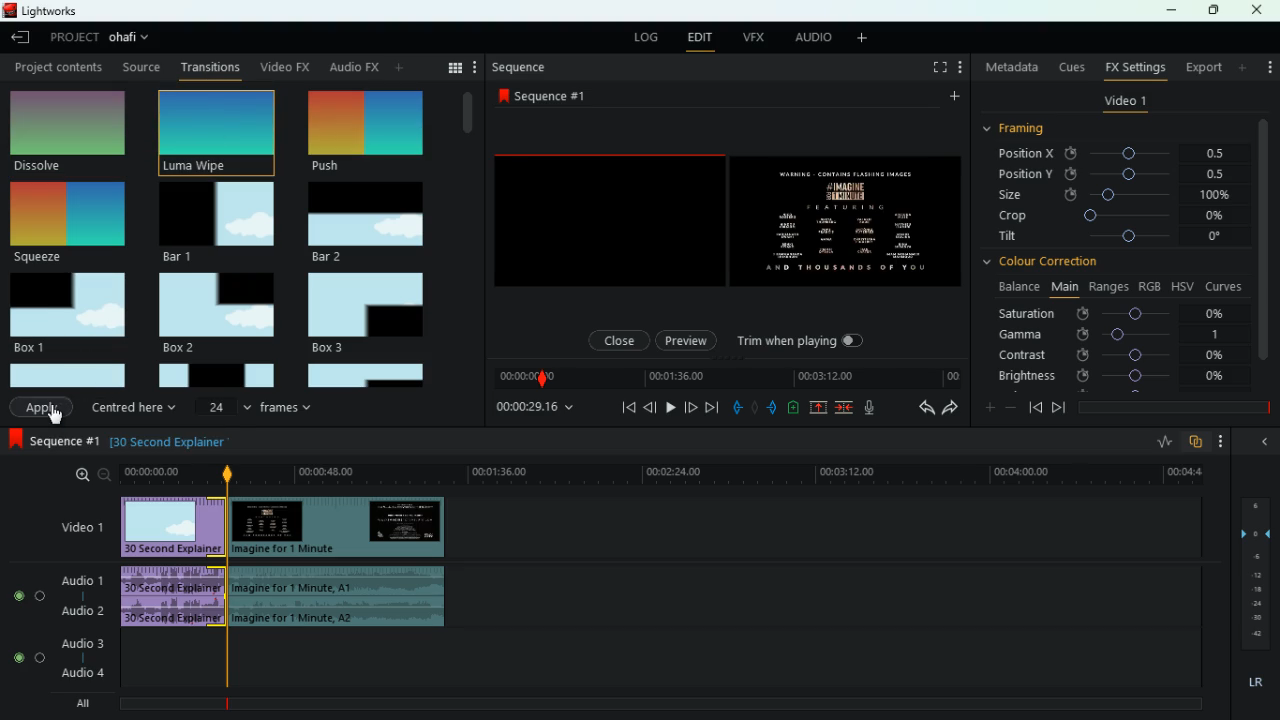  I want to click on time frame, so click(1174, 408).